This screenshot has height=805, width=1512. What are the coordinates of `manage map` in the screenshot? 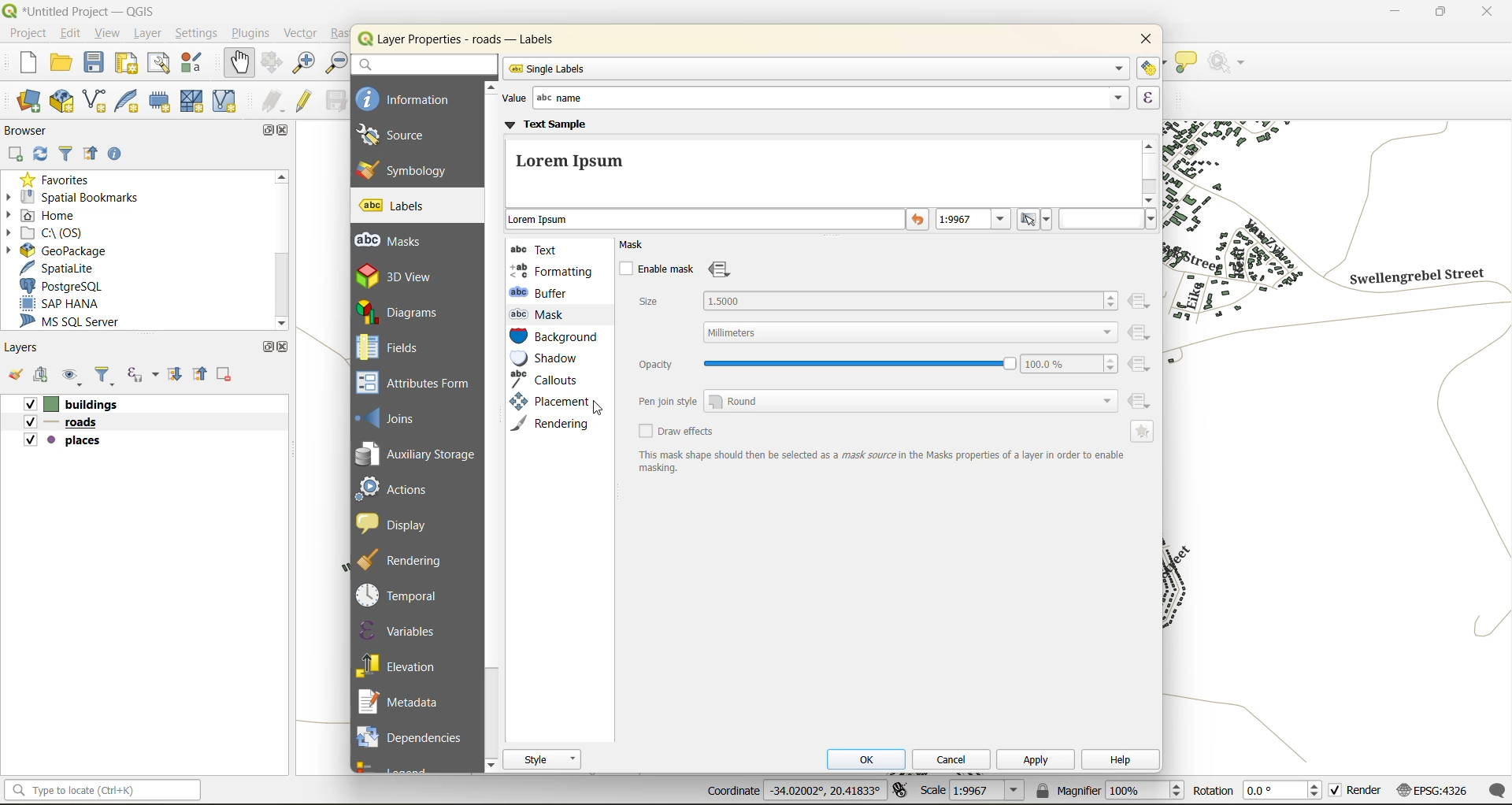 It's located at (74, 376).